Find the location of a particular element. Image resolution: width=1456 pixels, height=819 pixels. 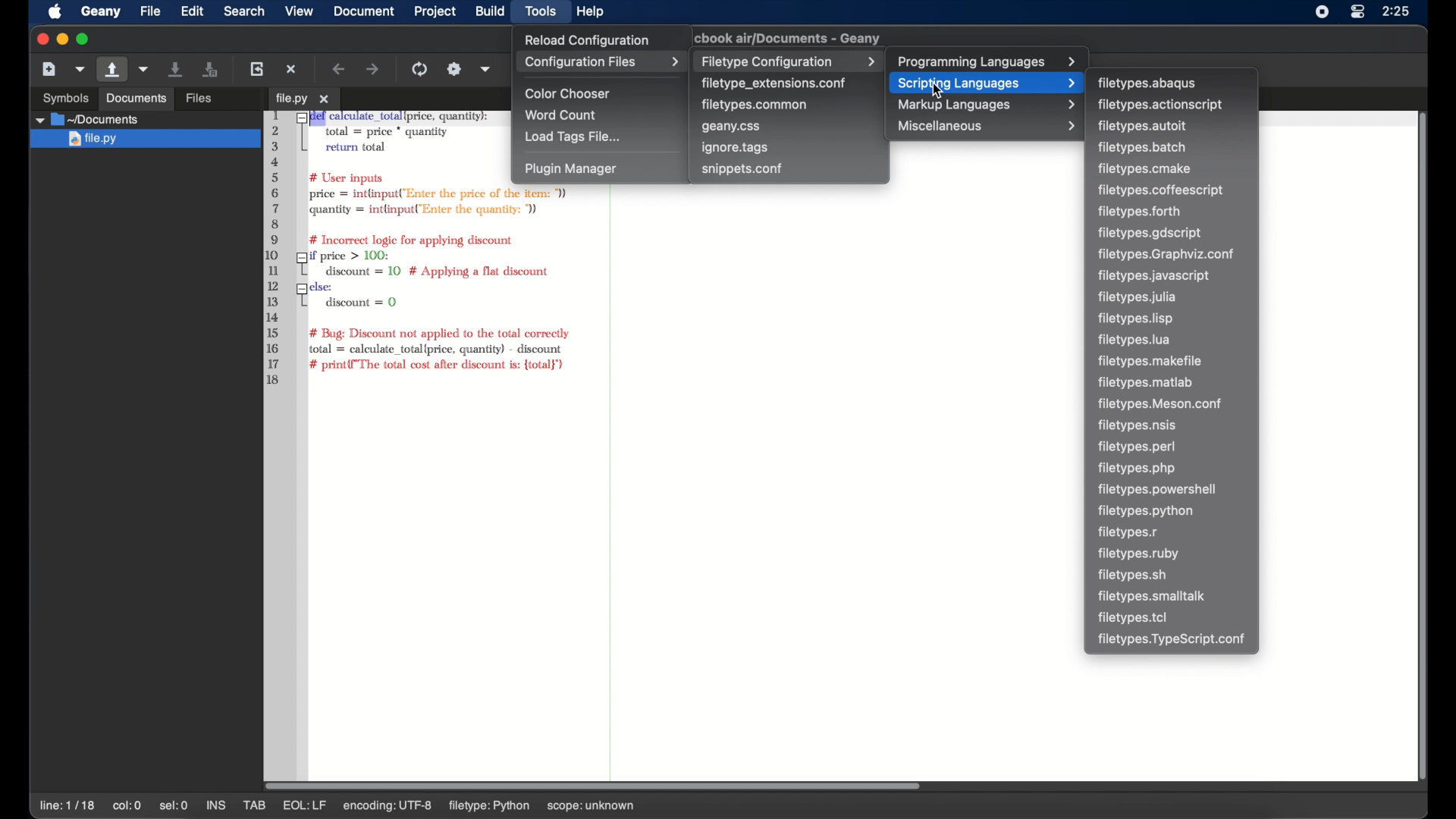

create new is located at coordinates (49, 68).